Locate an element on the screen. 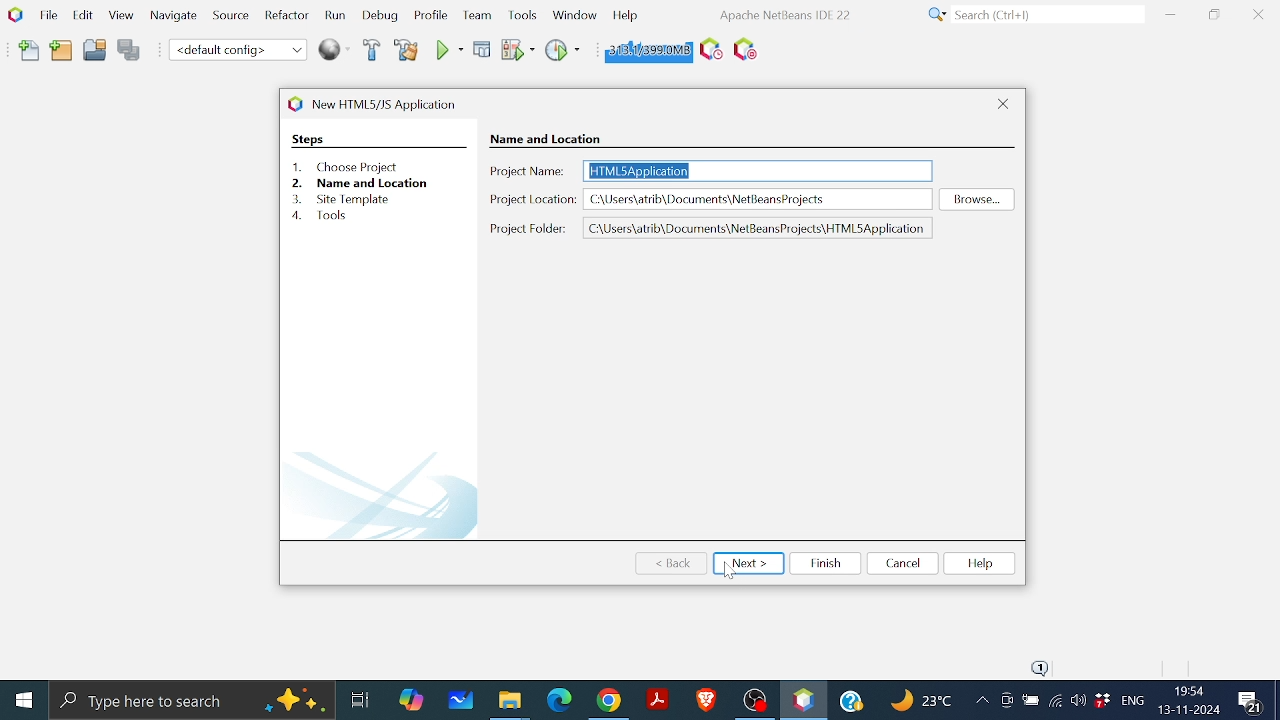 Image resolution: width=1280 pixels, height=720 pixels. Google chrome is located at coordinates (611, 700).